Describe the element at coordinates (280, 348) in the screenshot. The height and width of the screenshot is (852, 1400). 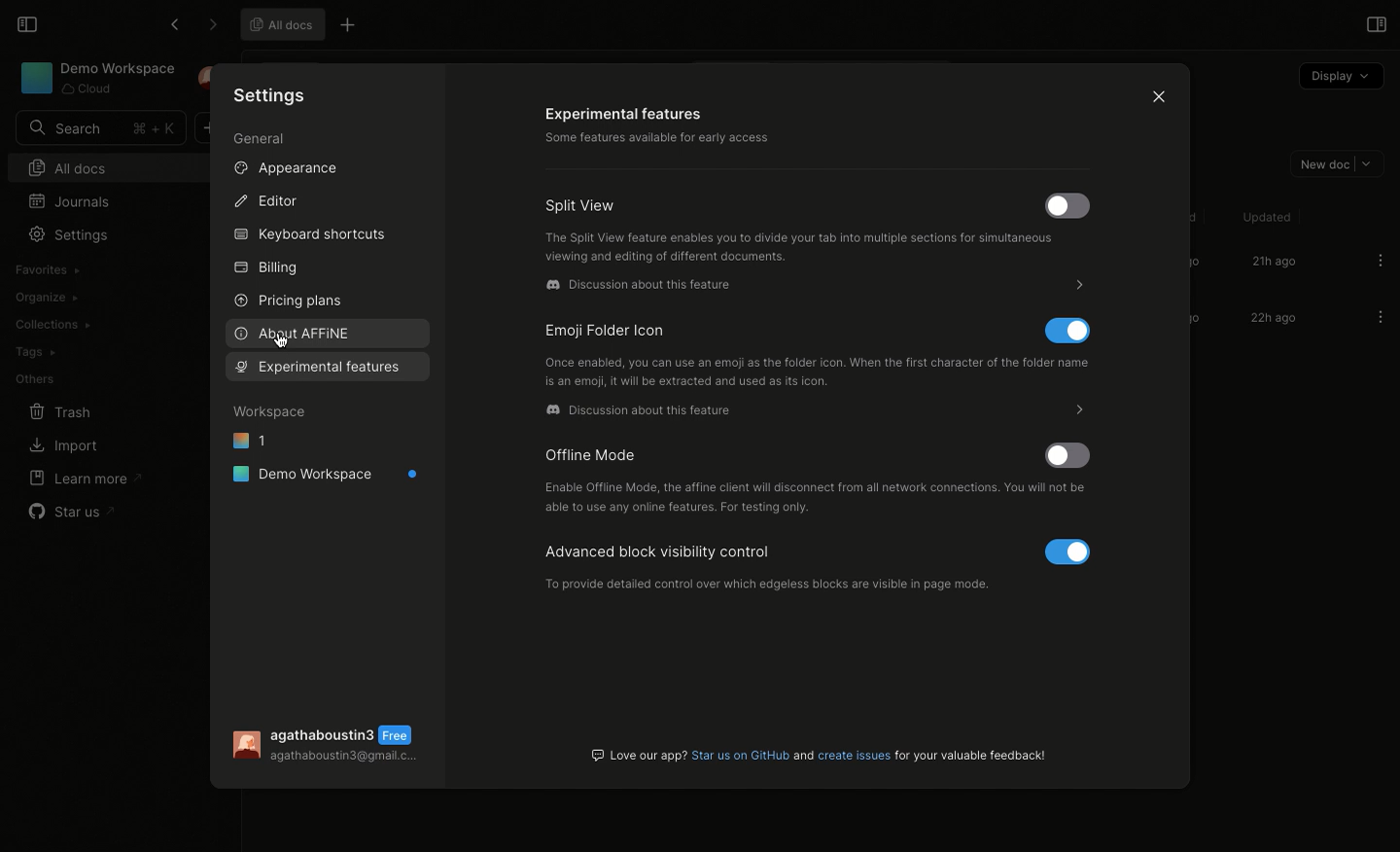
I see `Cursor on About AFFINE` at that location.